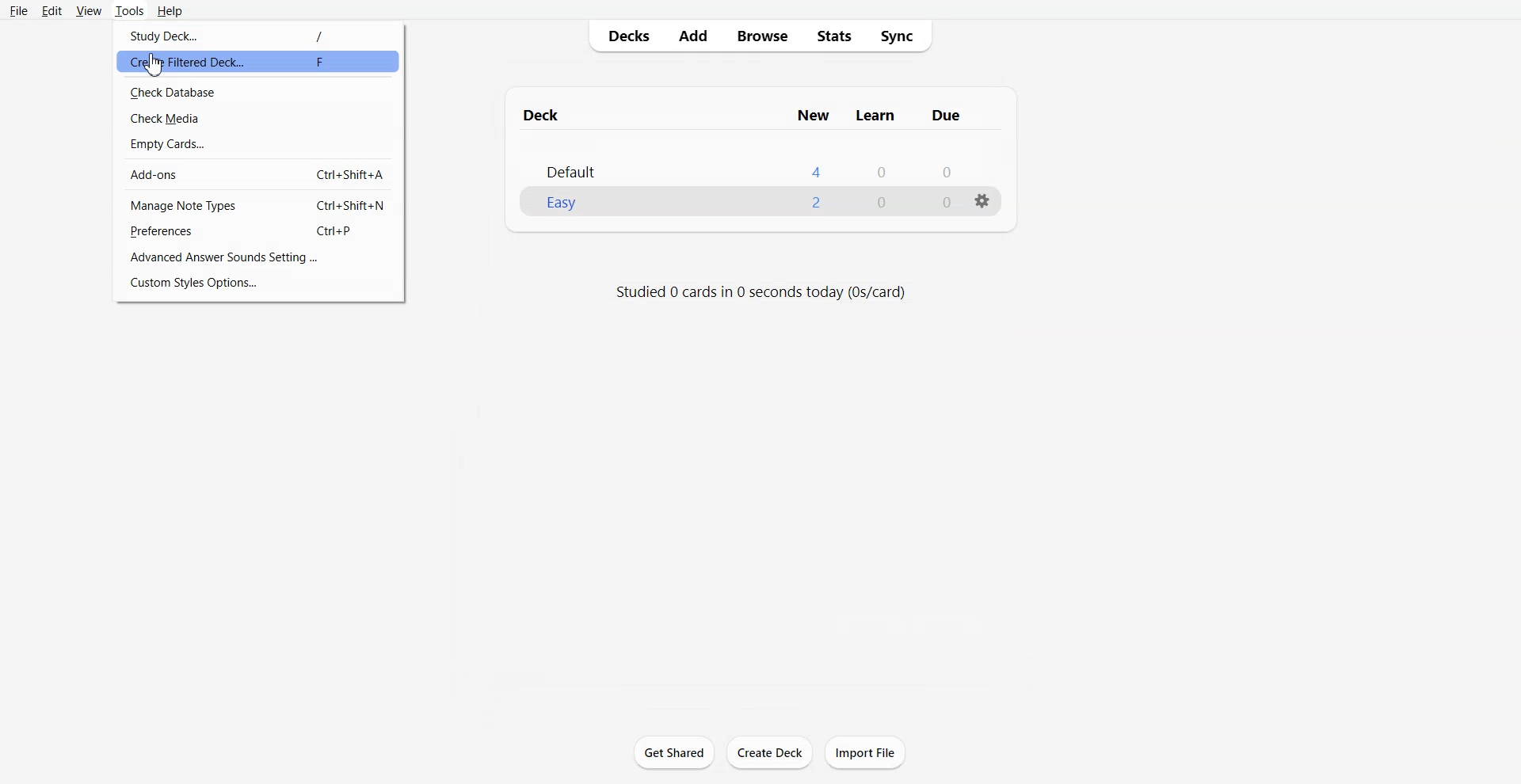 The image size is (1521, 784). I want to click on Preferences, so click(259, 231).